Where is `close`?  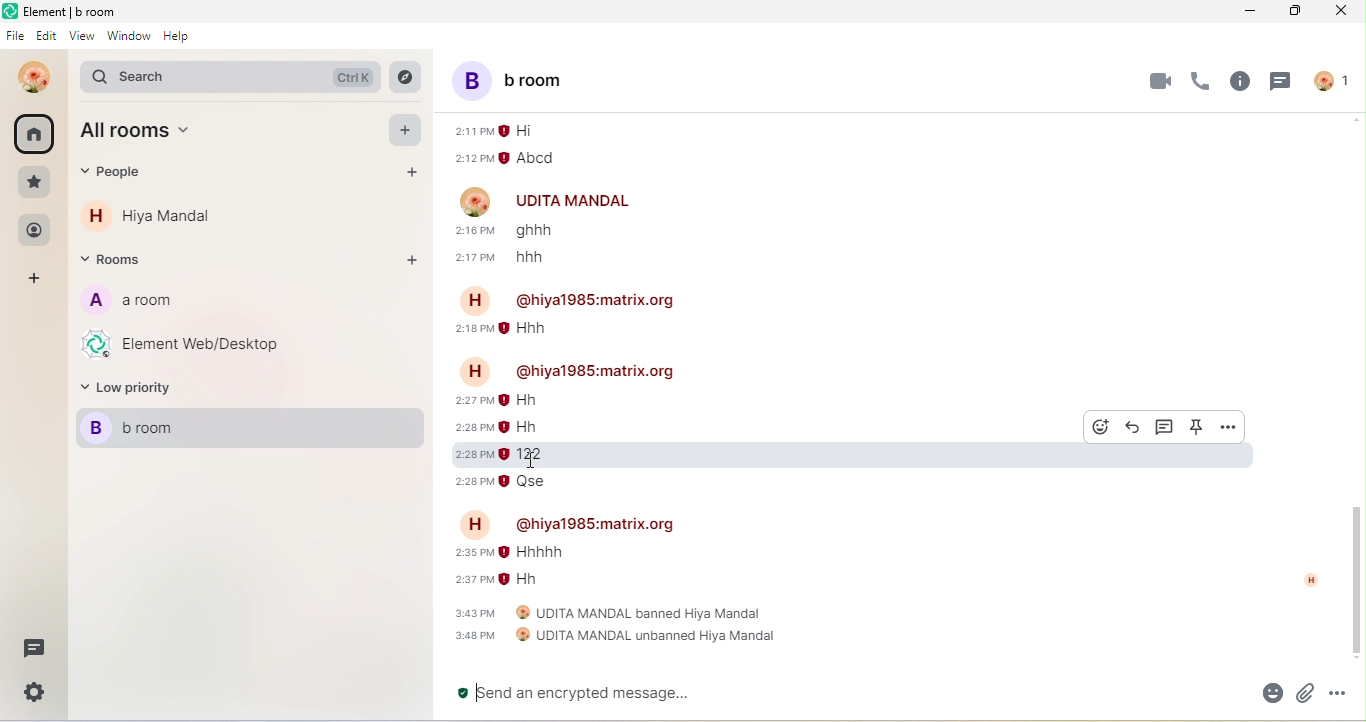 close is located at coordinates (1337, 12).